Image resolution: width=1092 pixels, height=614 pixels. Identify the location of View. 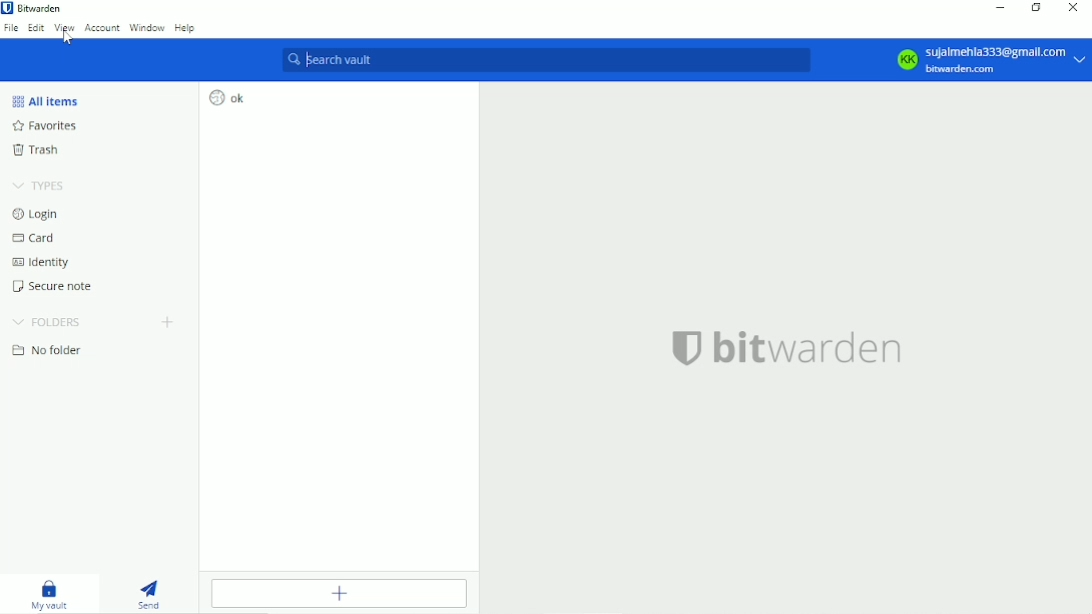
(64, 27).